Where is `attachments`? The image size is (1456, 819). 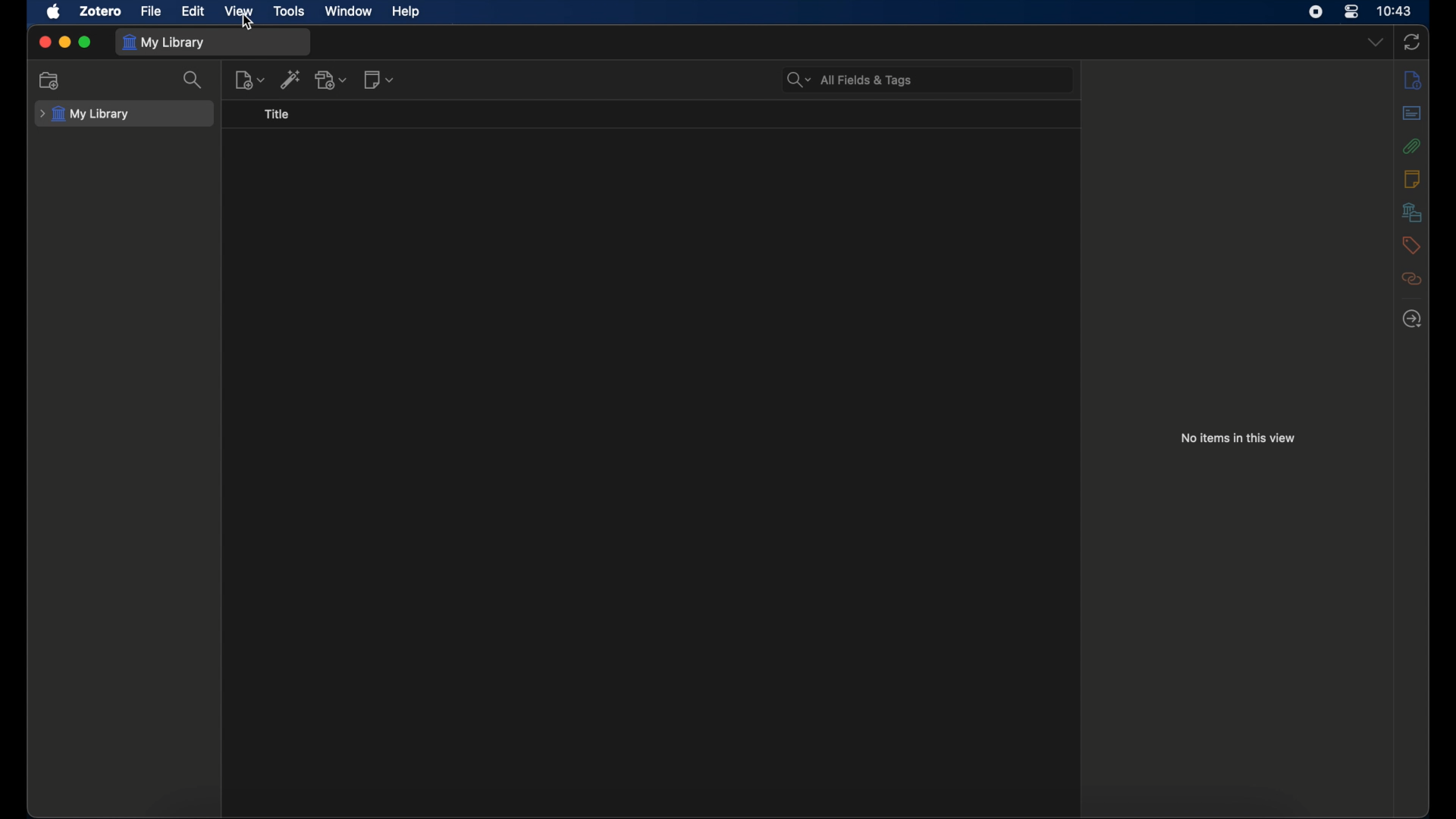 attachments is located at coordinates (1411, 146).